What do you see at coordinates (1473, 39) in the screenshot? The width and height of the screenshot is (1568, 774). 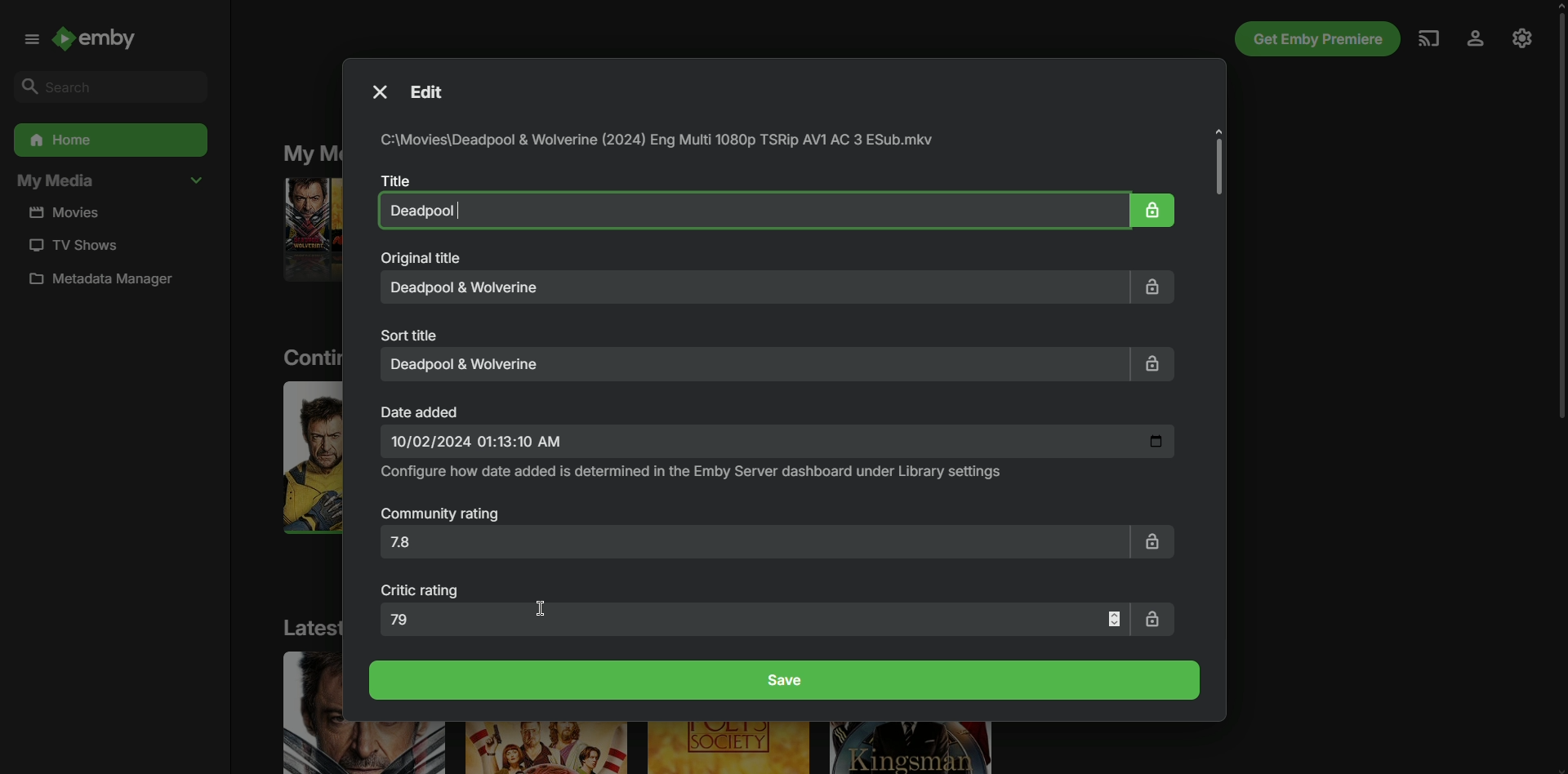 I see `Profile` at bounding box center [1473, 39].